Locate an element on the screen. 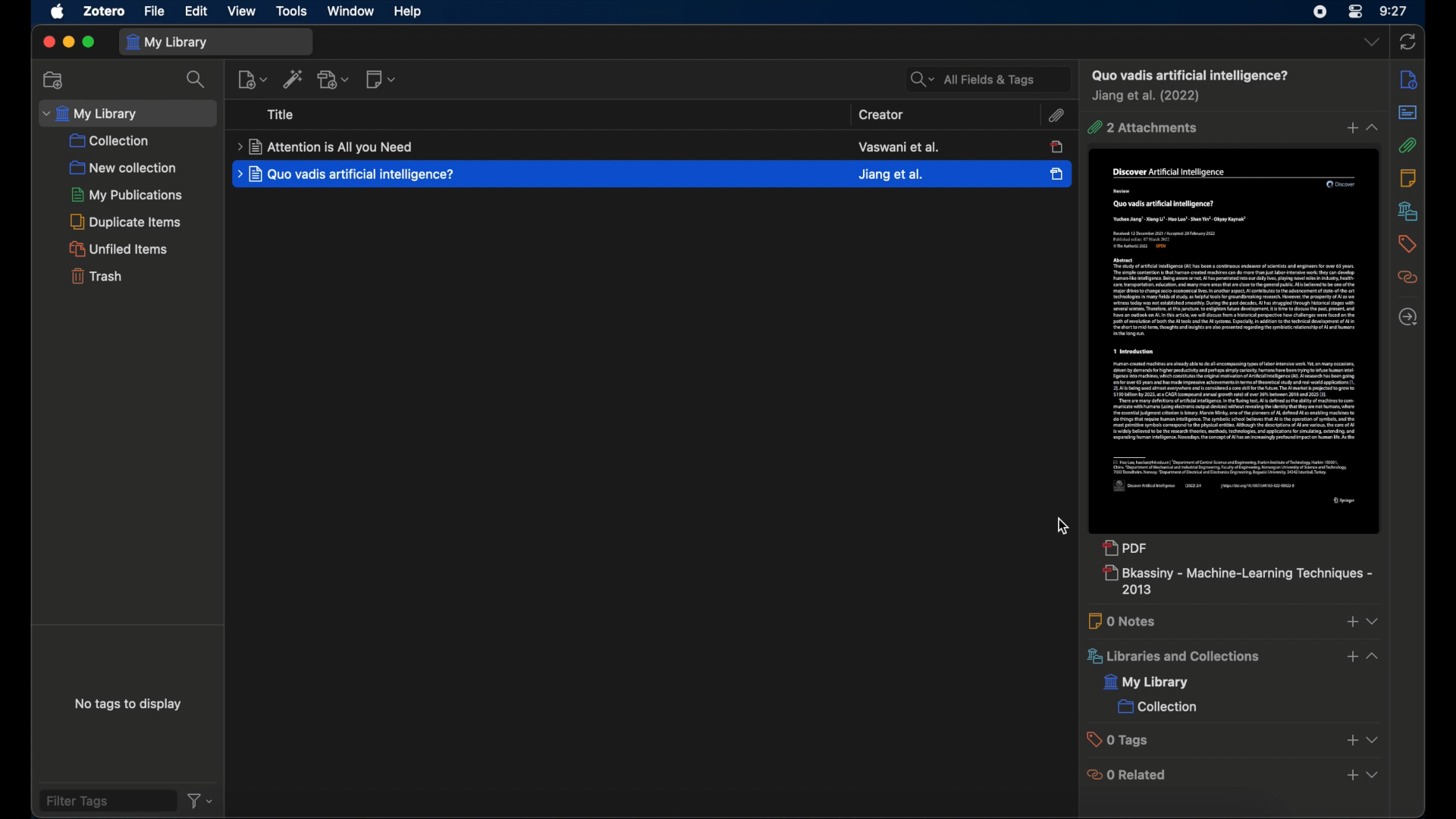 Image resolution: width=1456 pixels, height=819 pixels. all fields and tags is located at coordinates (987, 78).